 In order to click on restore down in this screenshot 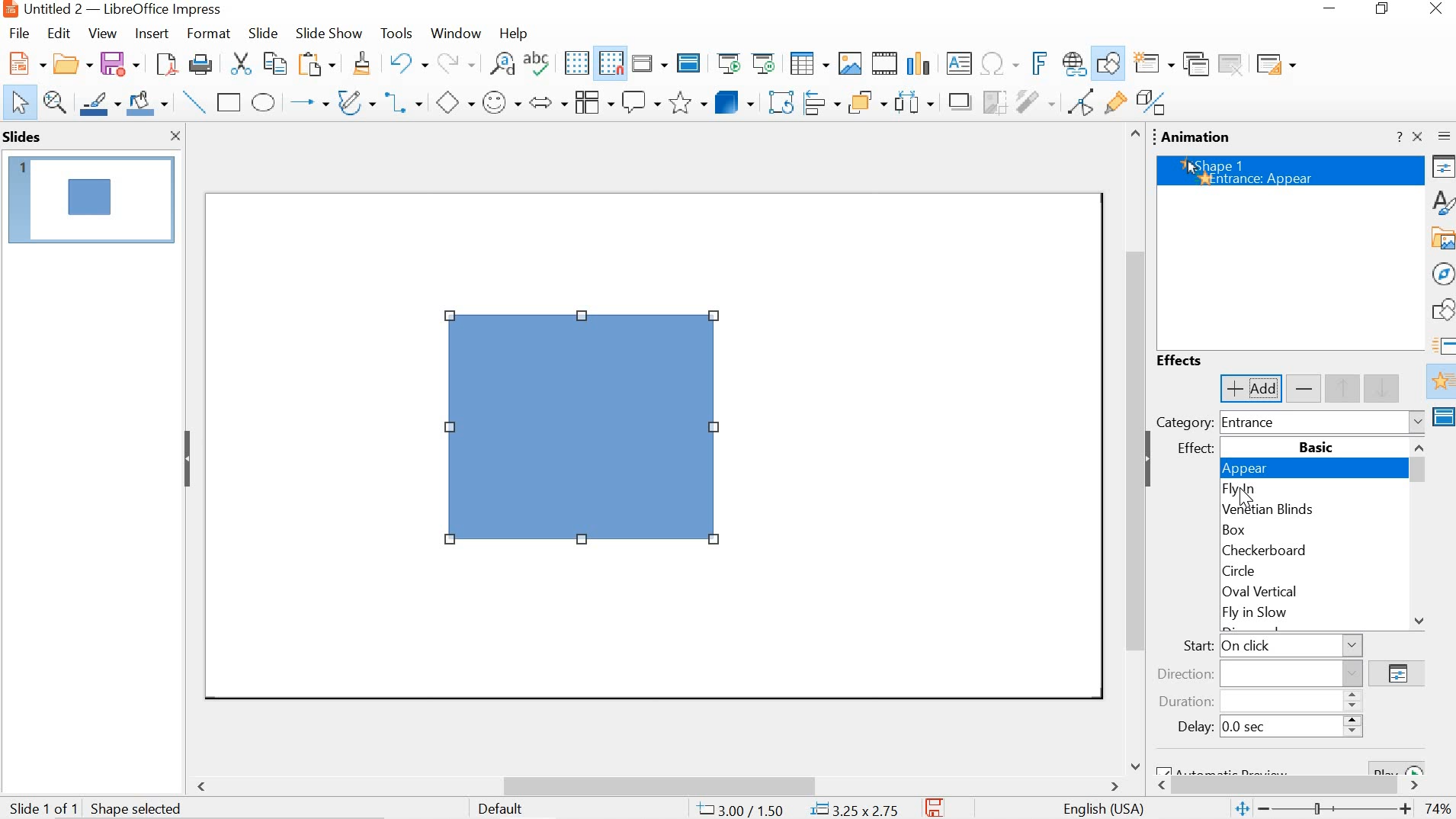, I will do `click(1387, 9)`.